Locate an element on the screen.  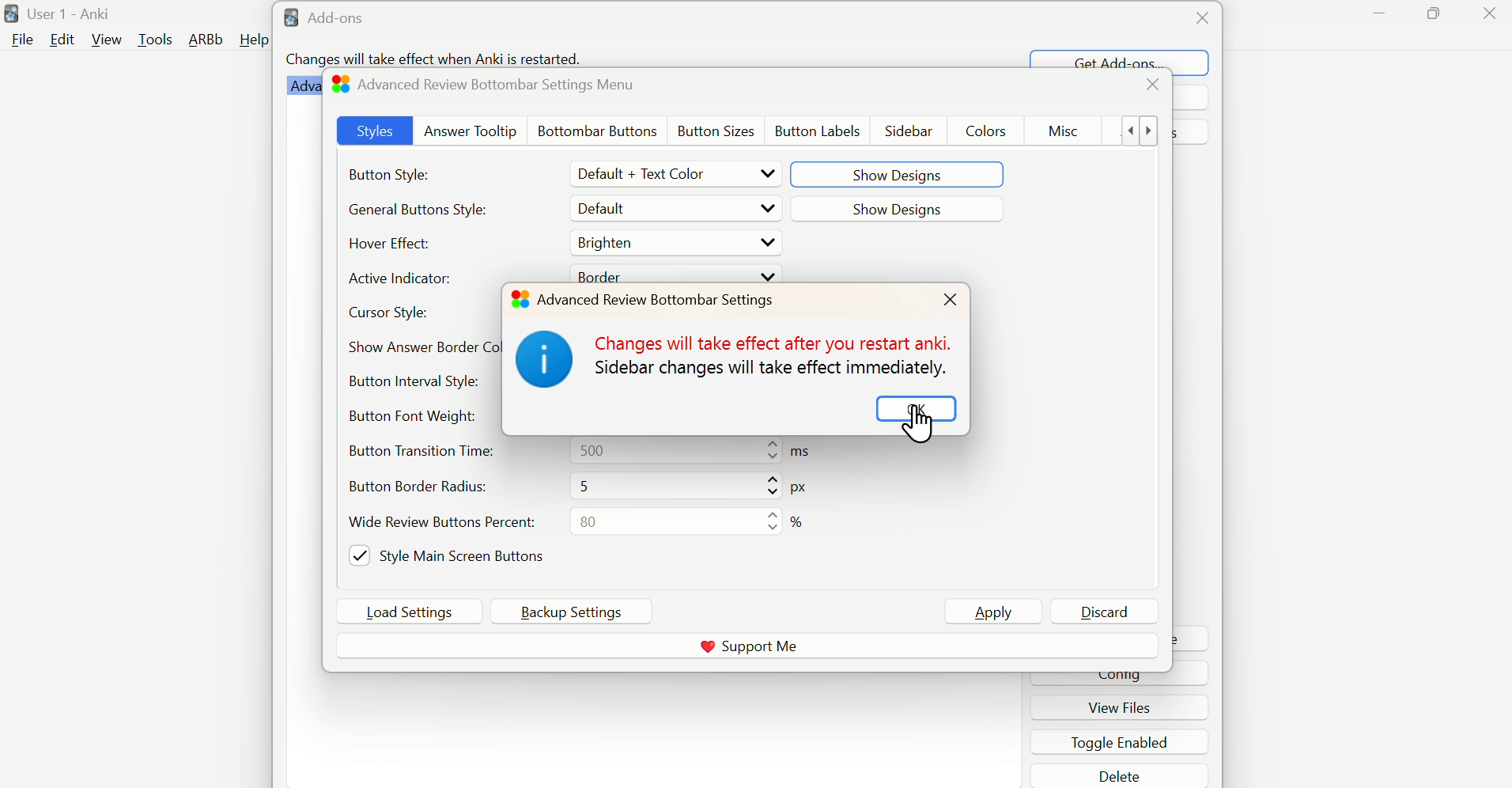
Close is located at coordinates (1211, 19).